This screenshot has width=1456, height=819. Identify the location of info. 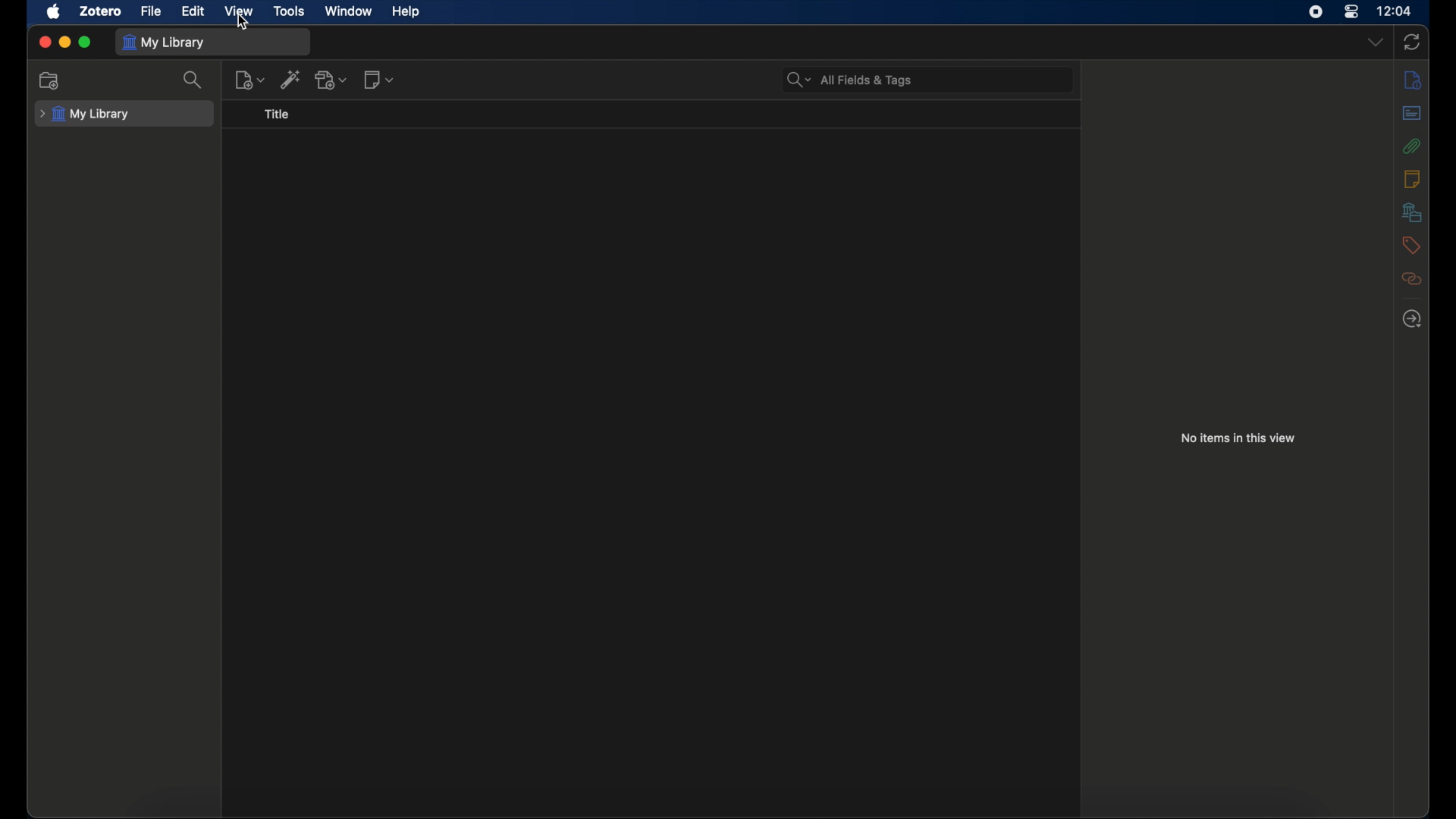
(1412, 80).